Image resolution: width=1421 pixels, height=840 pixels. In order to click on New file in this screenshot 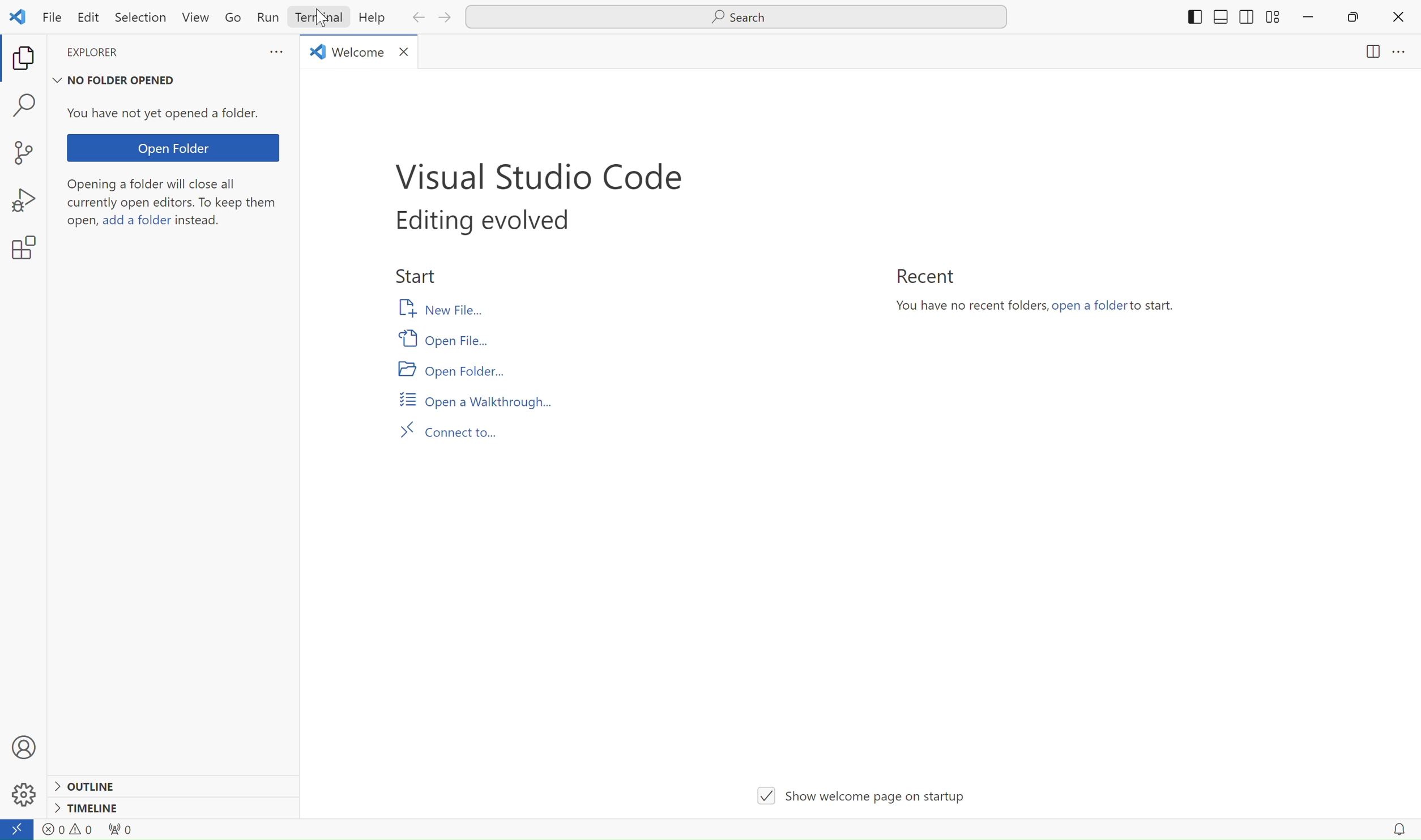, I will do `click(436, 308)`.